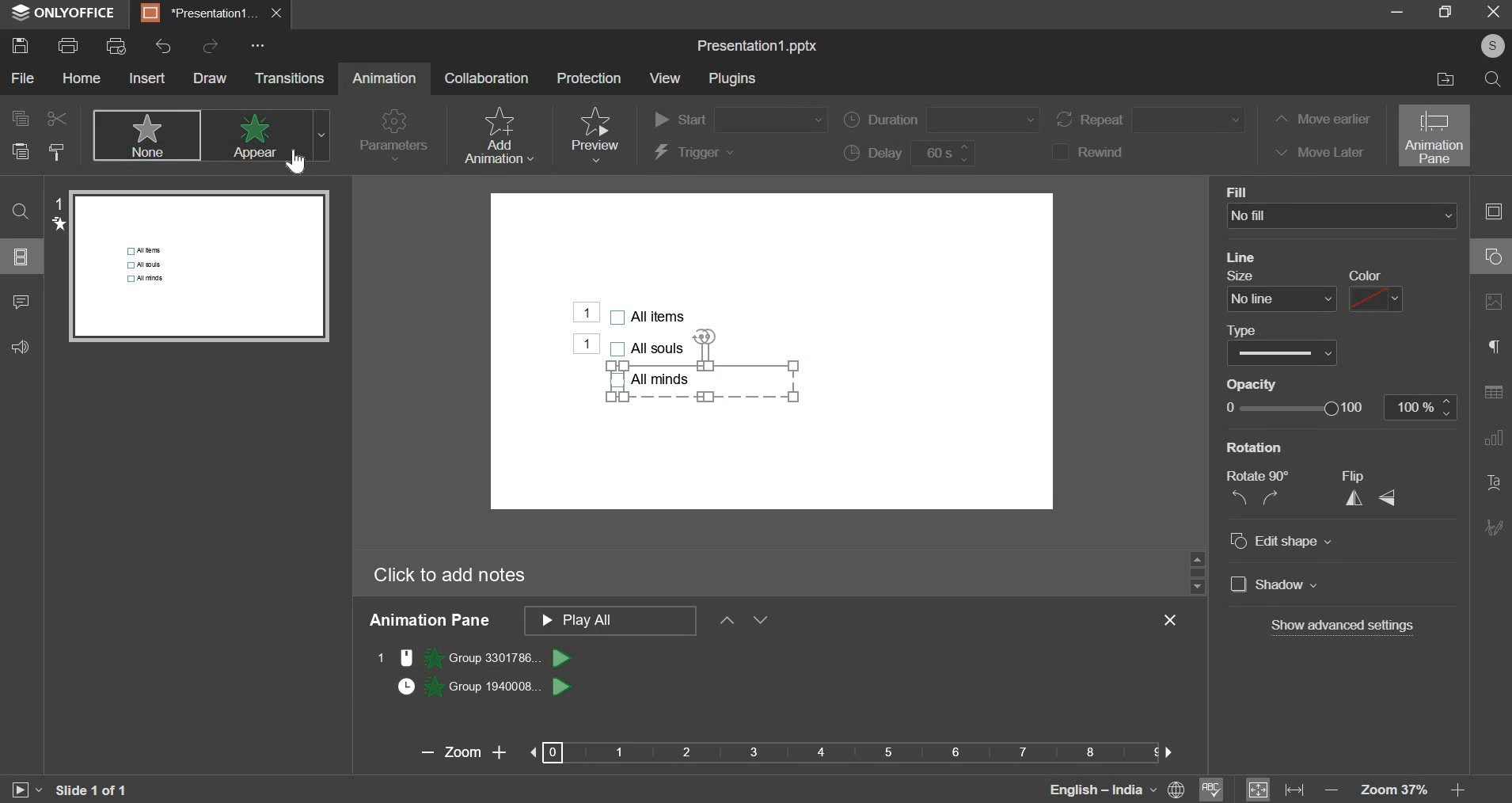 Image resolution: width=1512 pixels, height=803 pixels. I want to click on maximize, so click(1445, 13).